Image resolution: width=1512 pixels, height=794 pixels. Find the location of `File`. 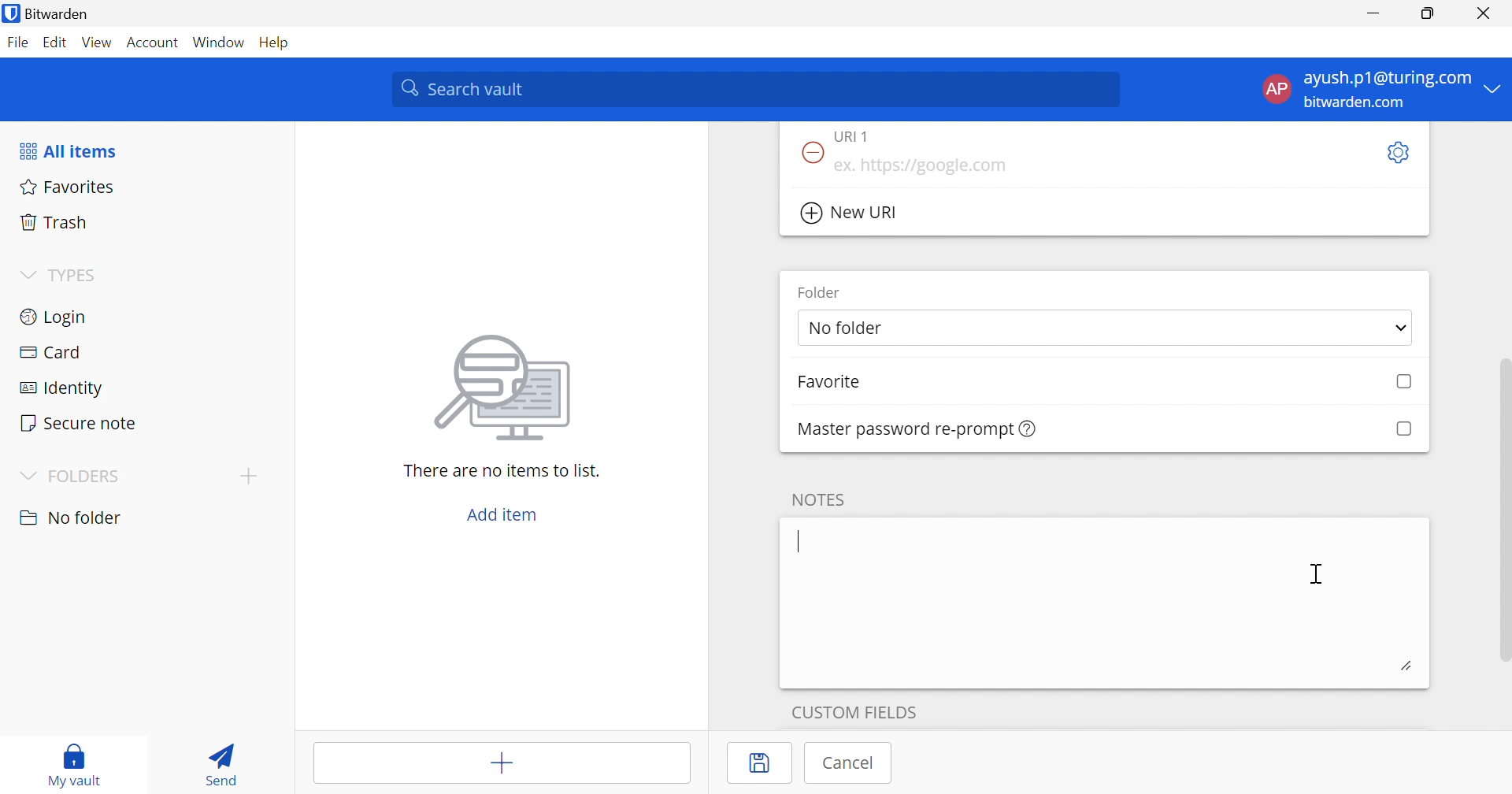

File is located at coordinates (17, 42).